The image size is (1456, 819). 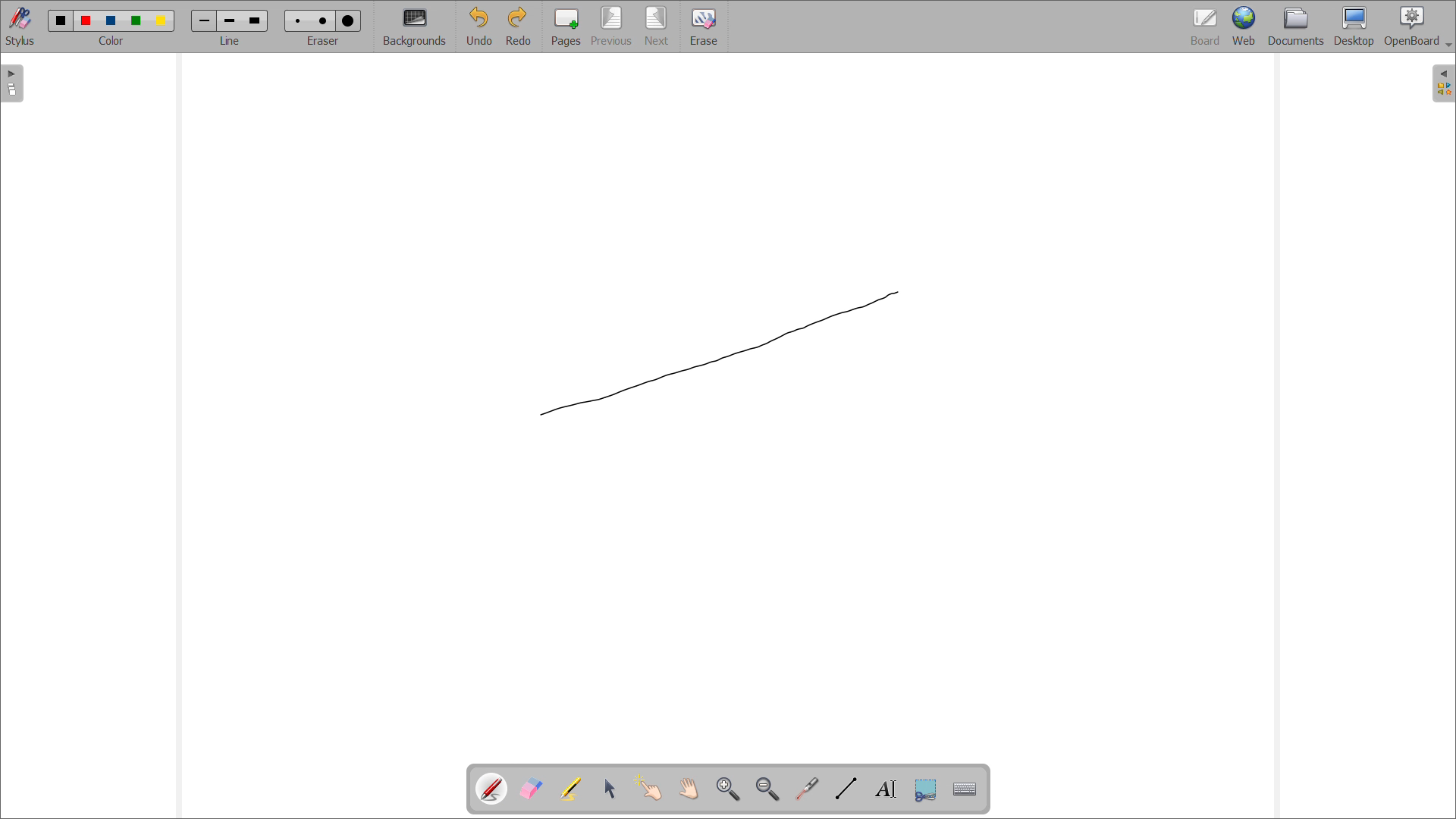 I want to click on line drawn, so click(x=721, y=353).